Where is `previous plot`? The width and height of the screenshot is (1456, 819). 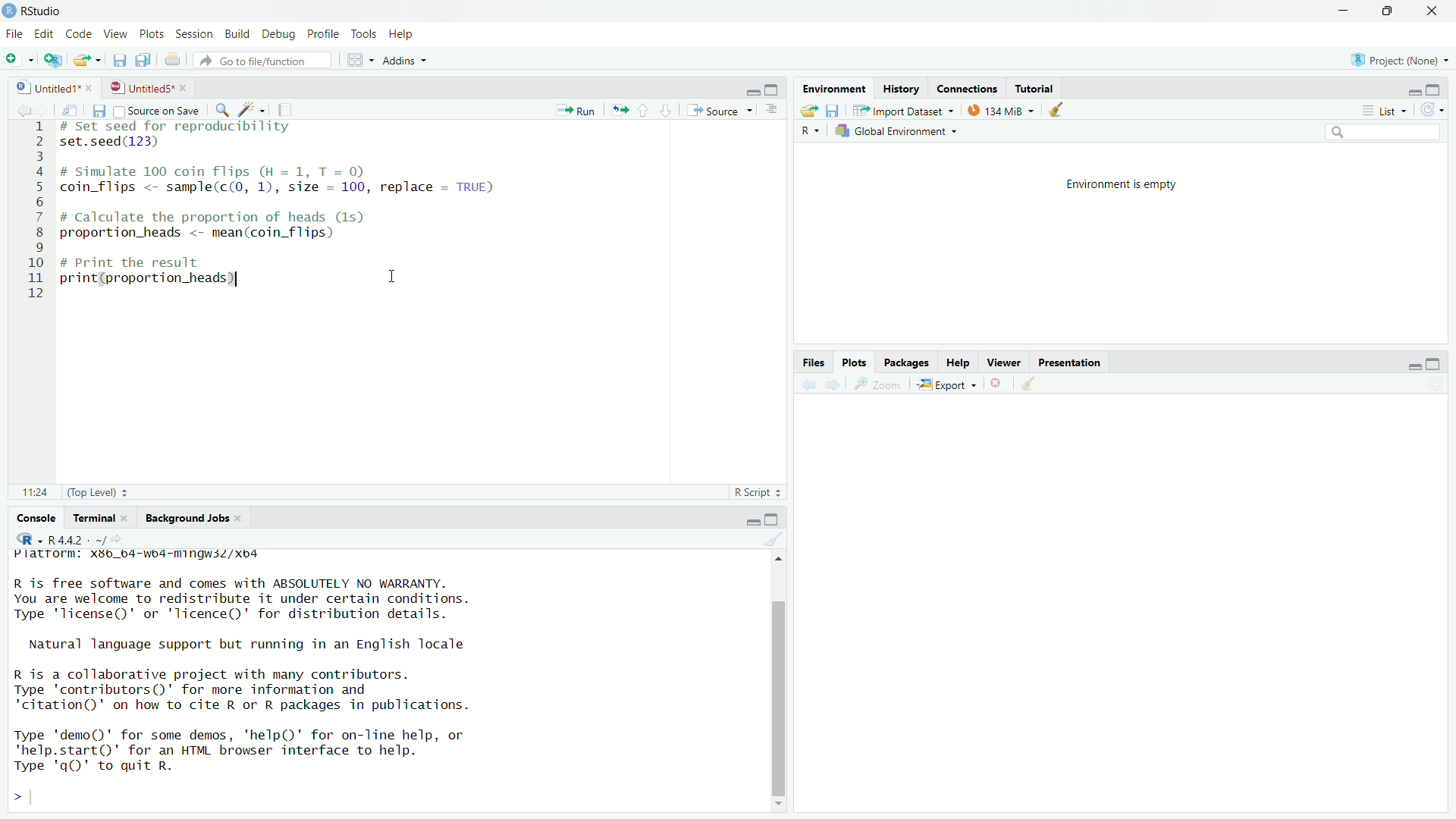 previous plot is located at coordinates (805, 385).